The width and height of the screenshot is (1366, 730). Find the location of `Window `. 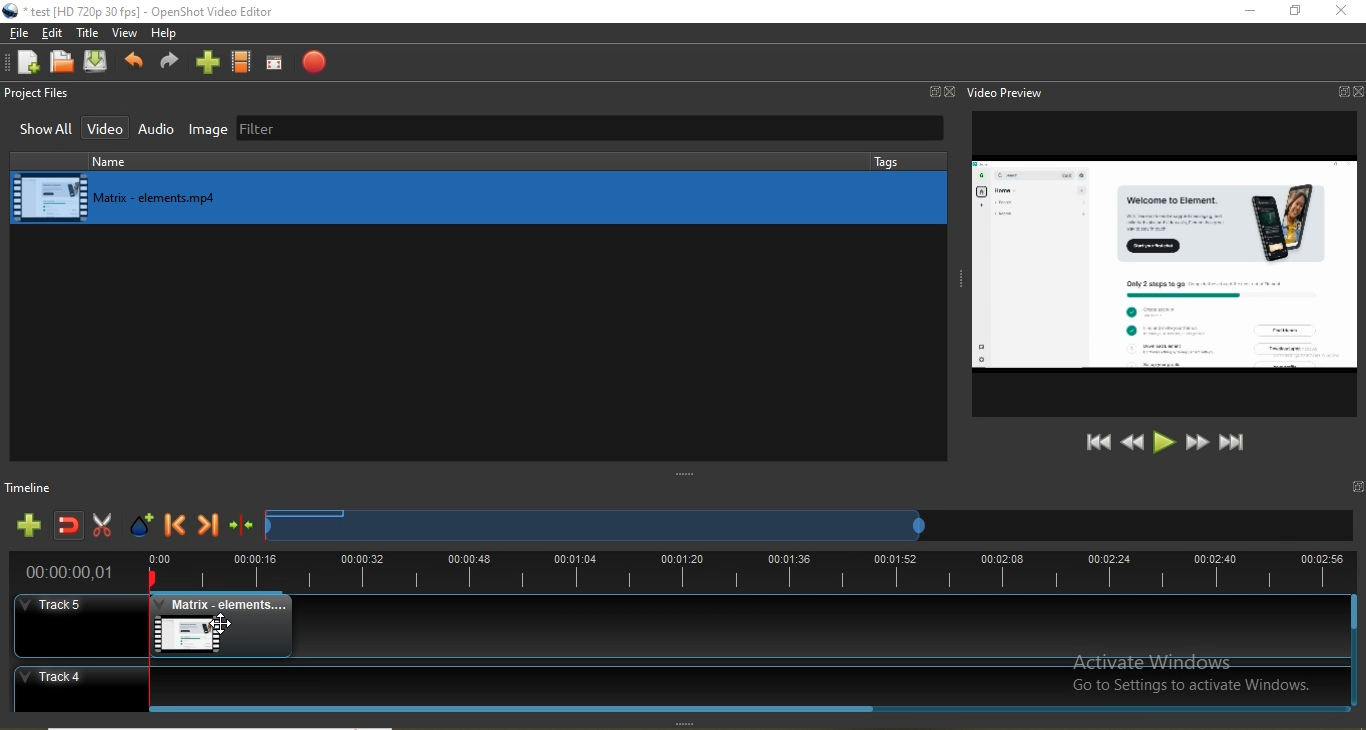

Window  is located at coordinates (1342, 92).